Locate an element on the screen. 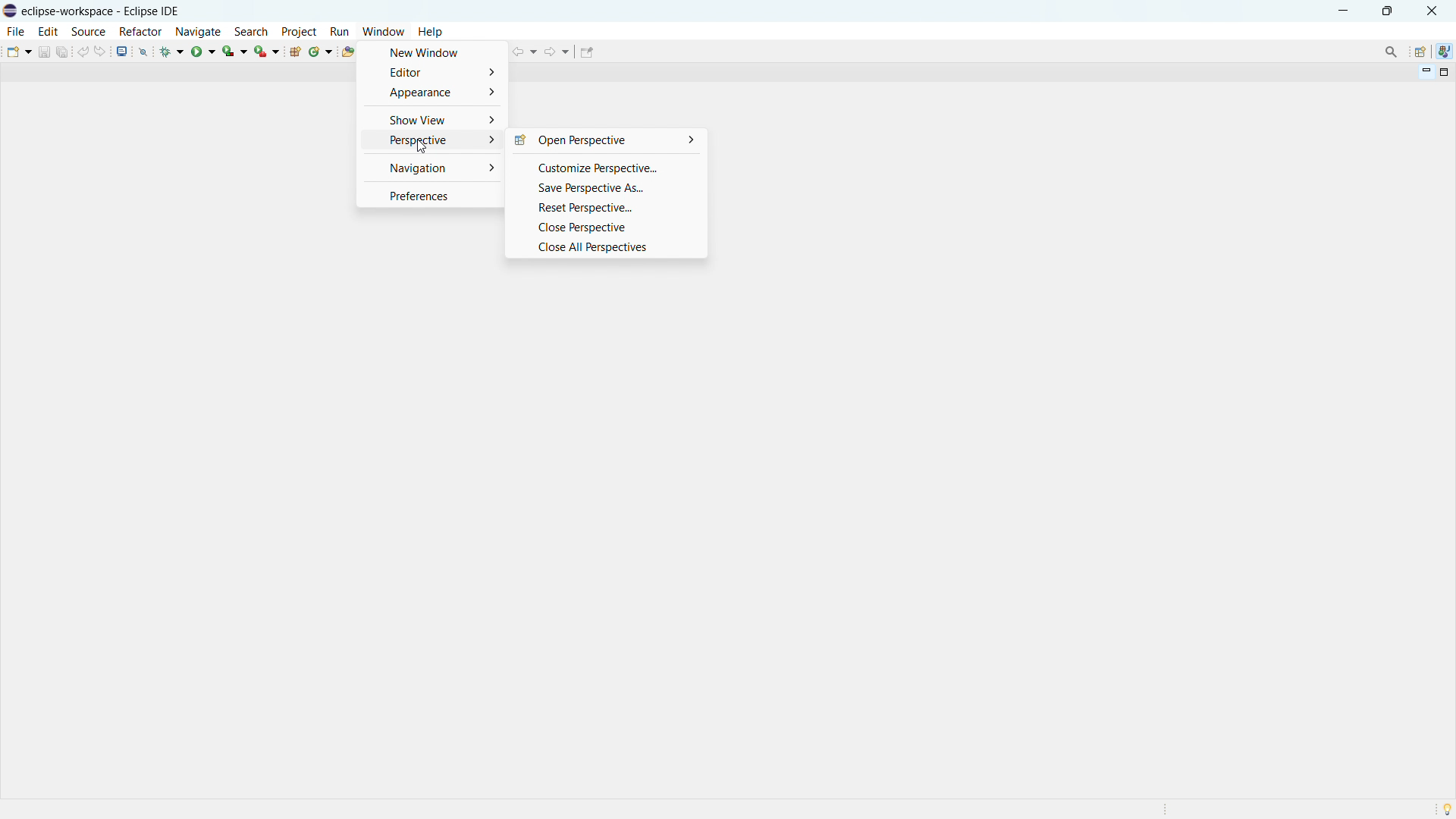  new window is located at coordinates (431, 53).